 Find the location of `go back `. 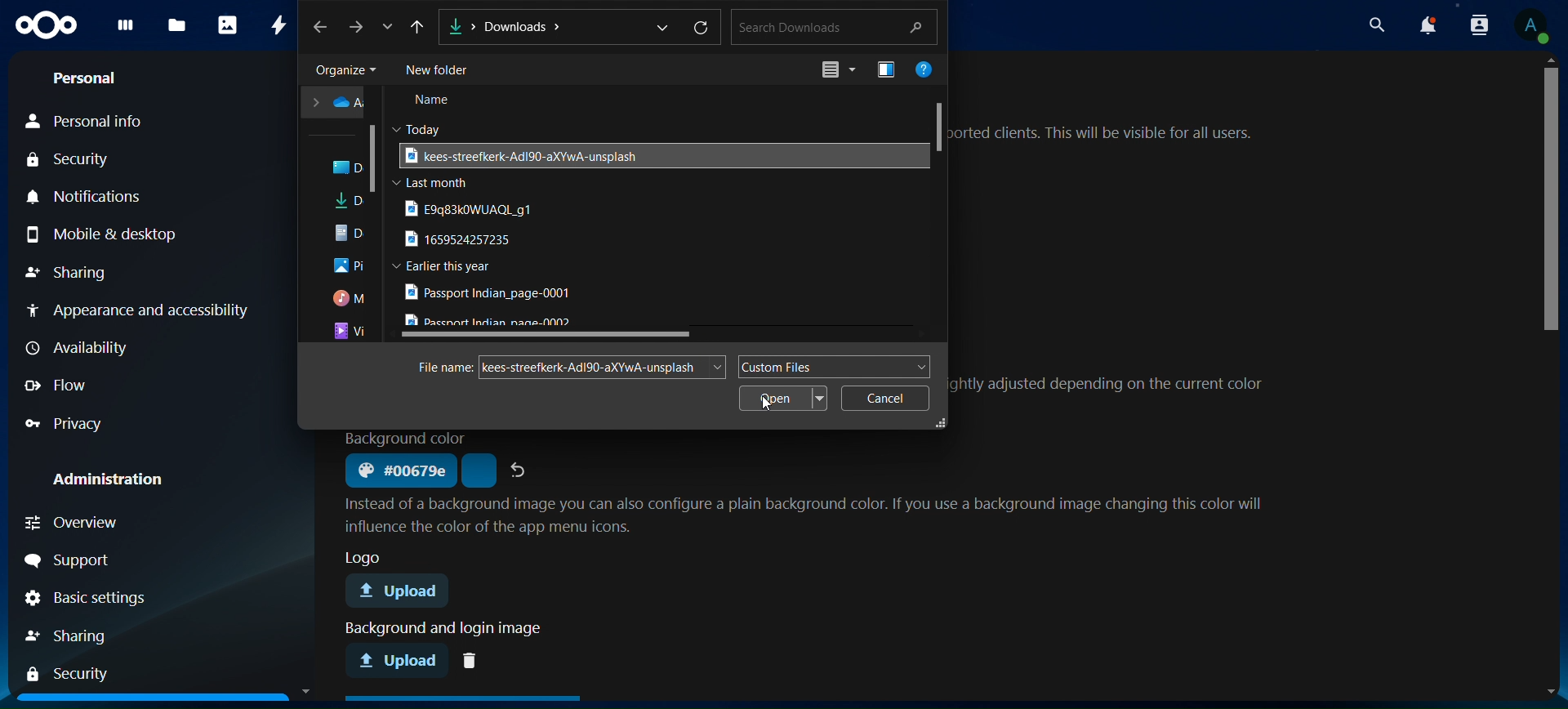

go back  is located at coordinates (322, 26).